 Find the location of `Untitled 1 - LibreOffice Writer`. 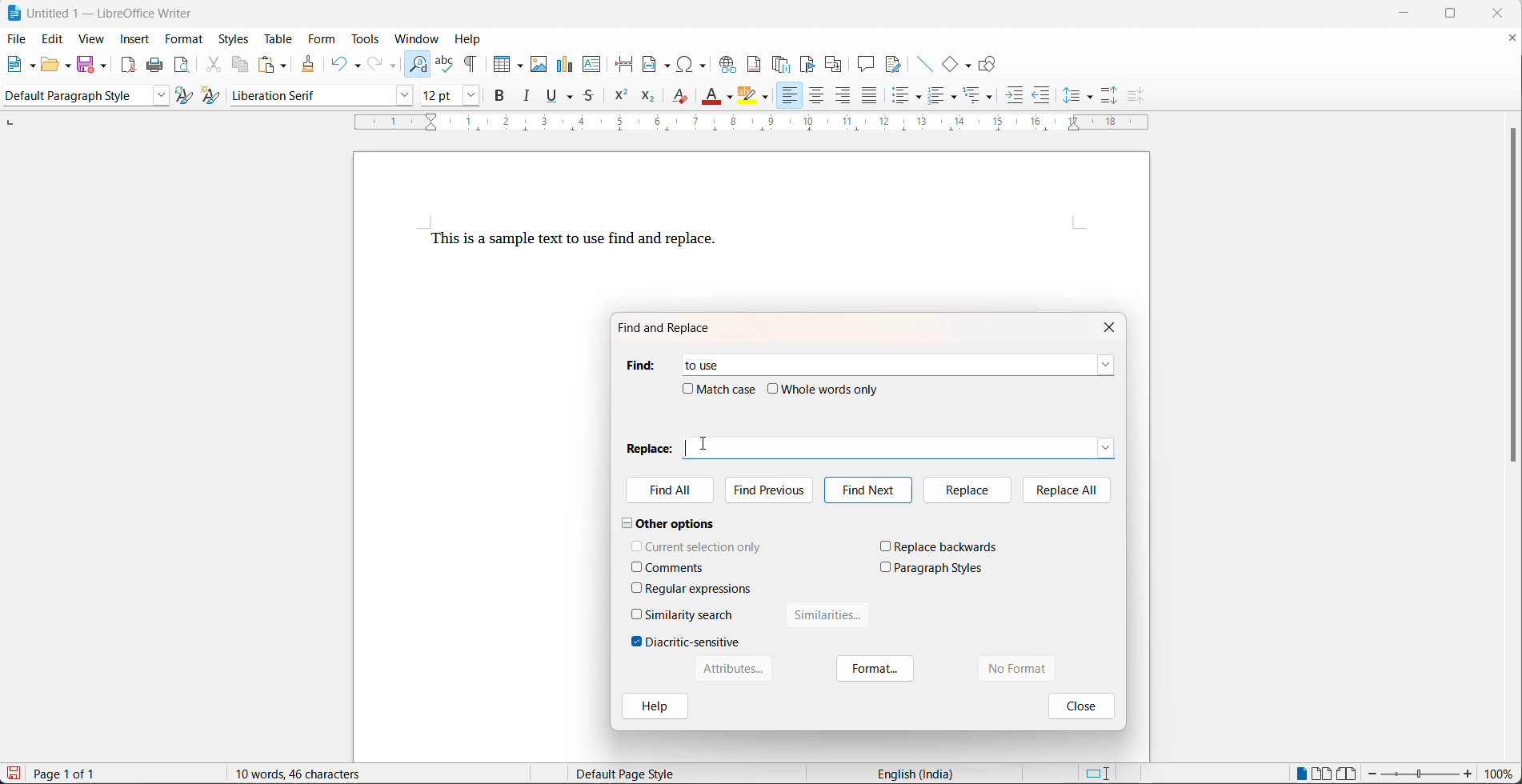

Untitled 1 - LibreOffice Writer is located at coordinates (102, 11).